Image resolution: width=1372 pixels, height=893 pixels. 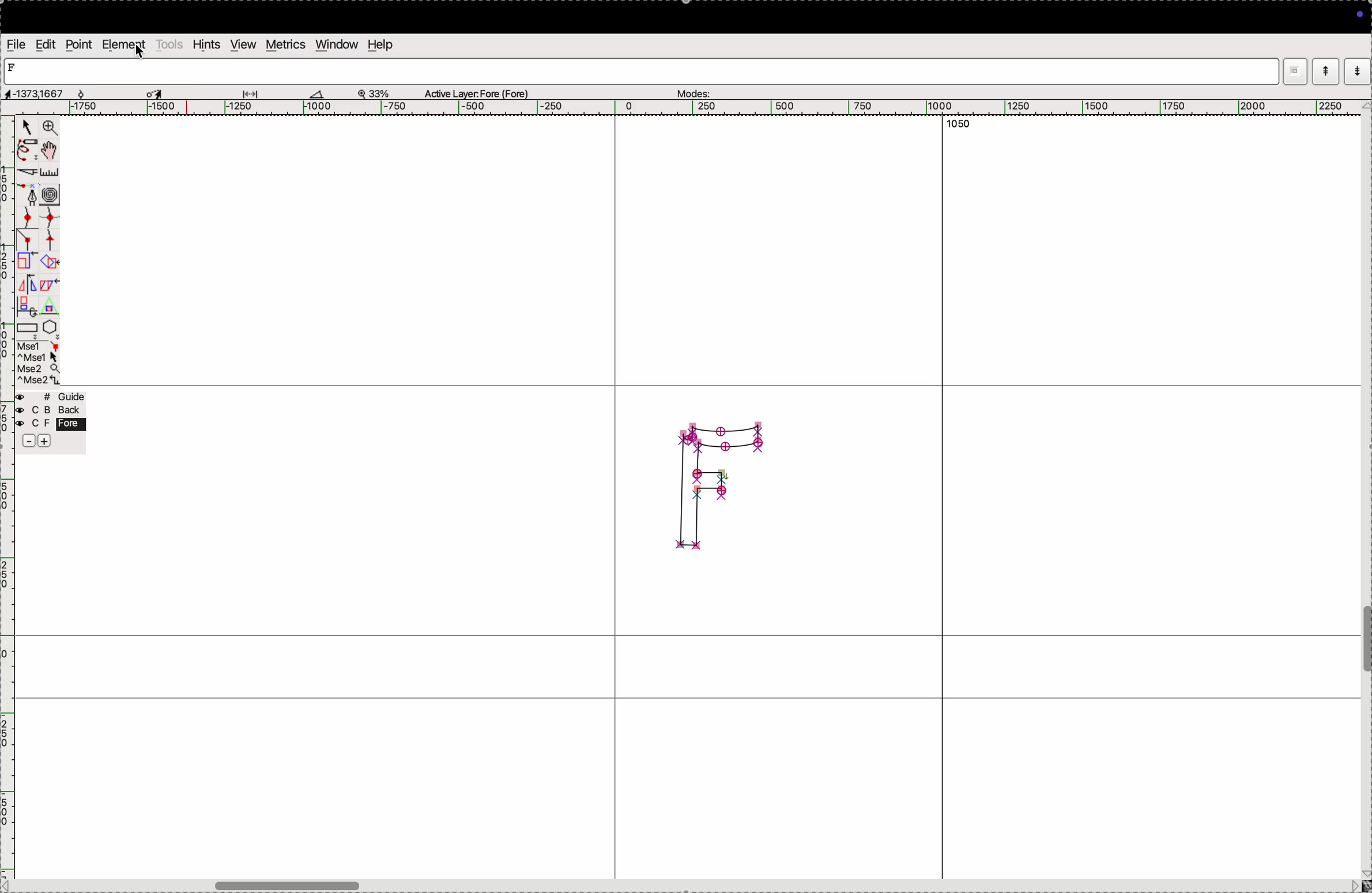 I want to click on cursor, so click(x=25, y=128).